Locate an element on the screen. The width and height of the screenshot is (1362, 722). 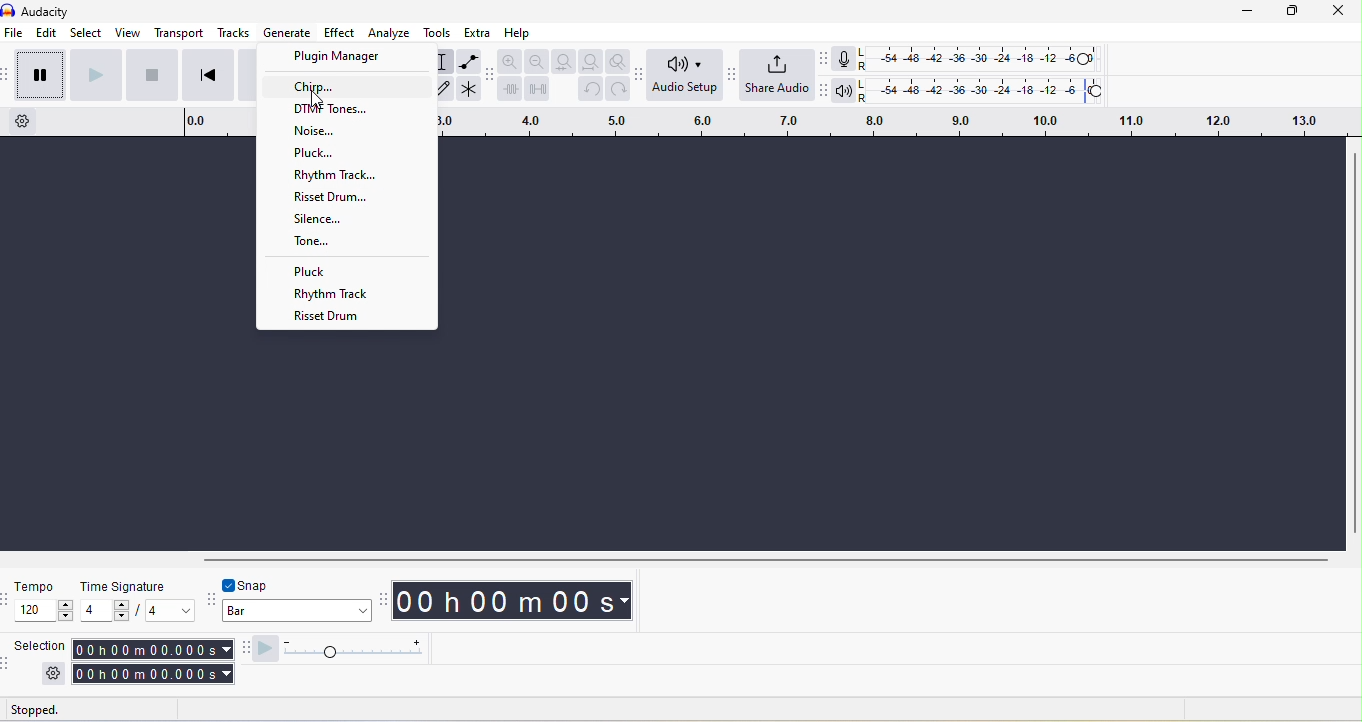
tracks is located at coordinates (233, 33).